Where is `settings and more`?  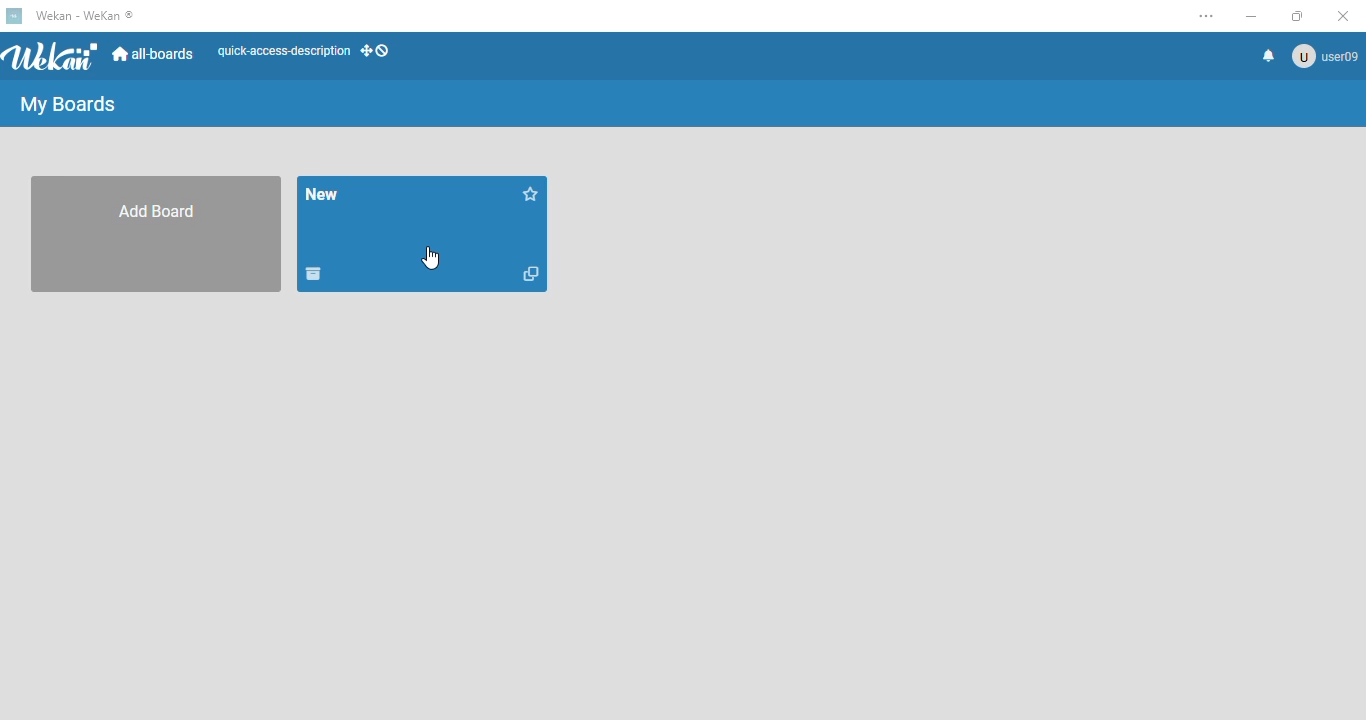 settings and more is located at coordinates (1207, 16).